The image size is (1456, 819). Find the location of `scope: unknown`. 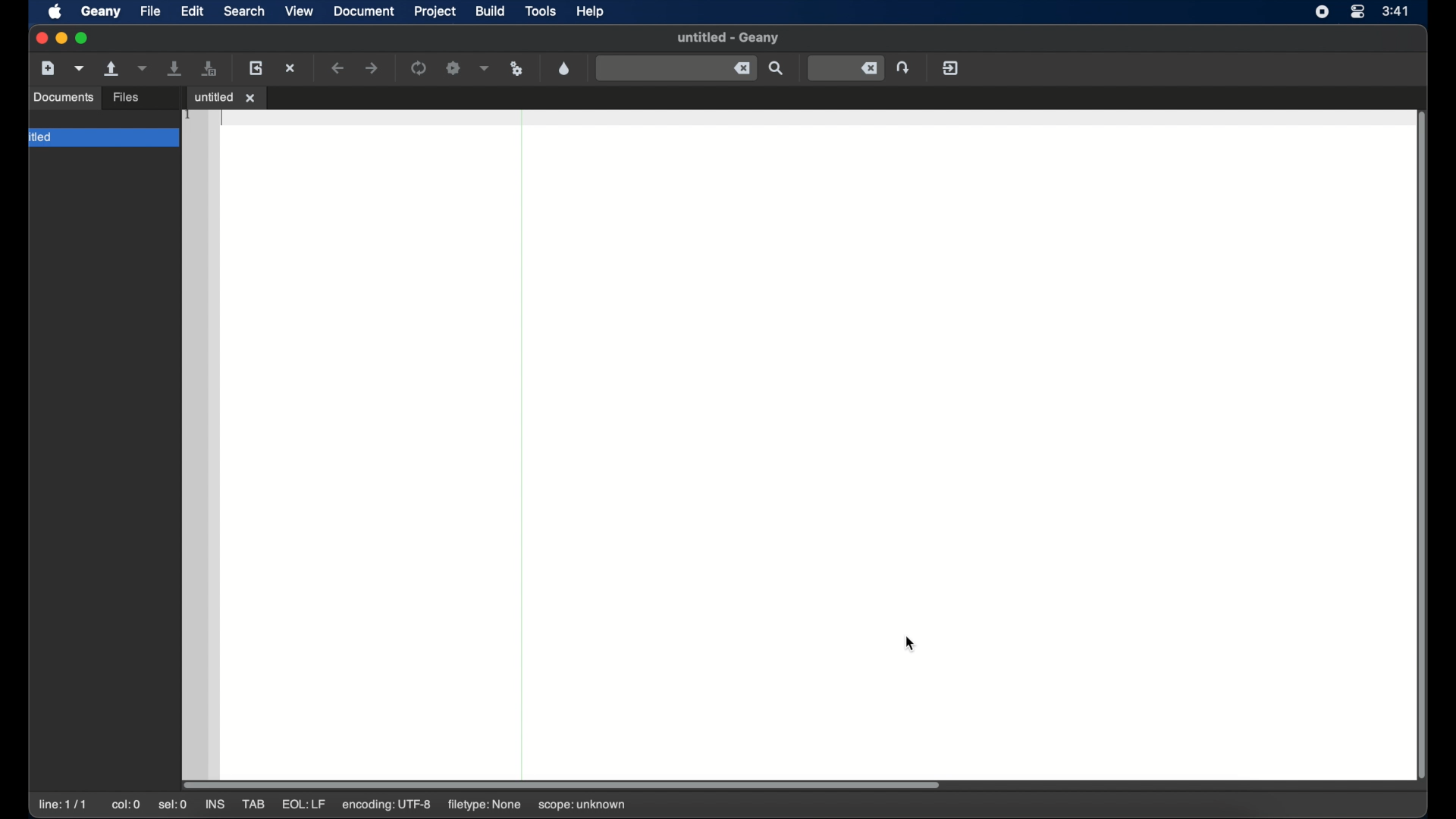

scope: unknown is located at coordinates (582, 805).